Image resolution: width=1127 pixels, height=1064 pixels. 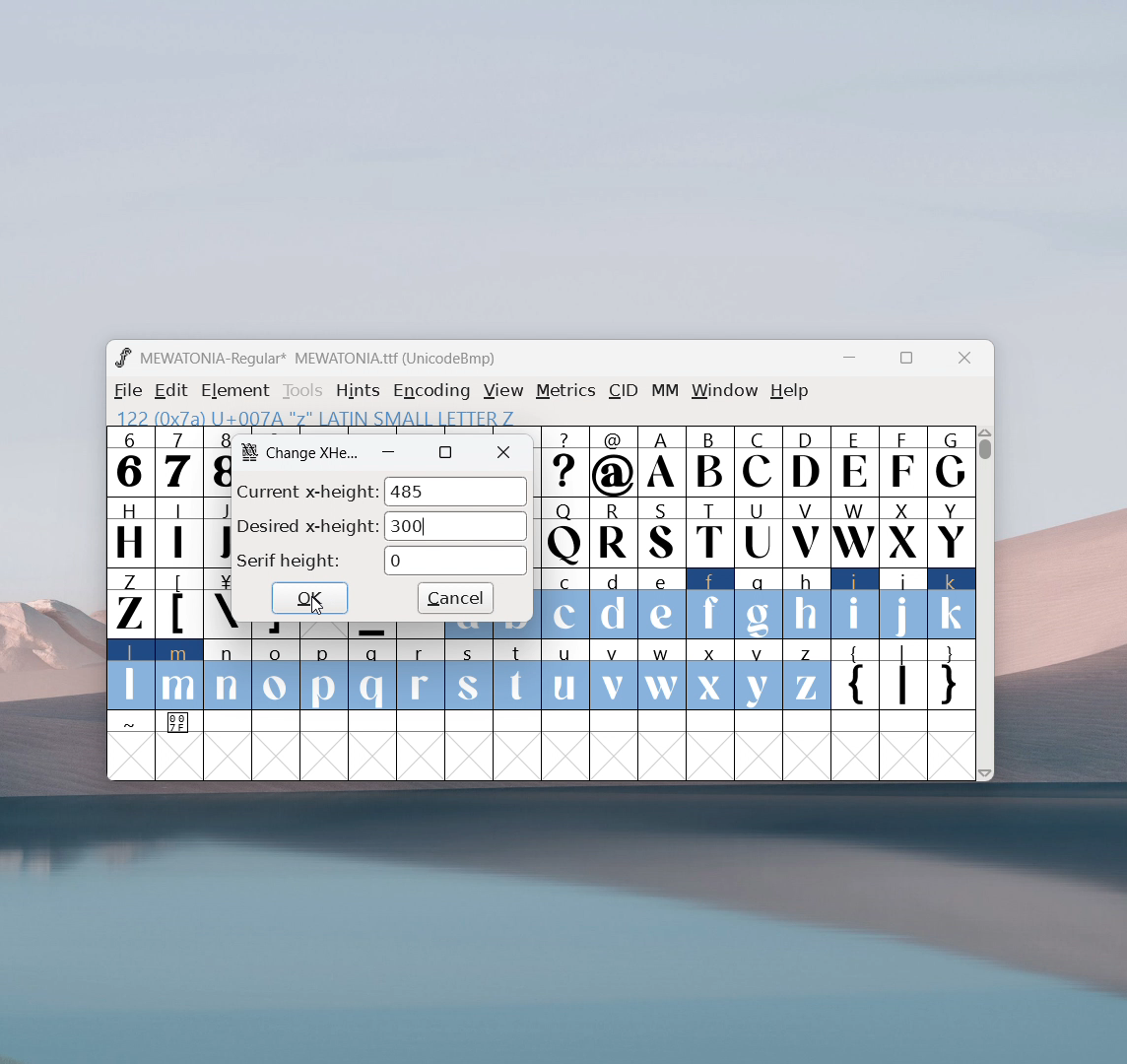 What do you see at coordinates (219, 604) in the screenshot?
I see `\` at bounding box center [219, 604].